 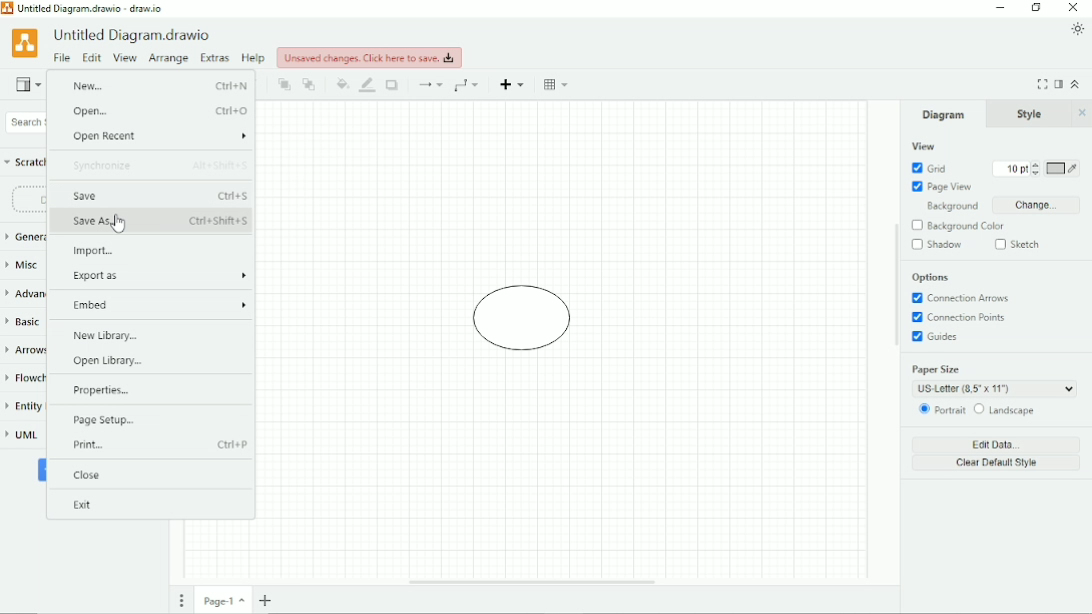 What do you see at coordinates (160, 221) in the screenshot?
I see `Save As` at bounding box center [160, 221].